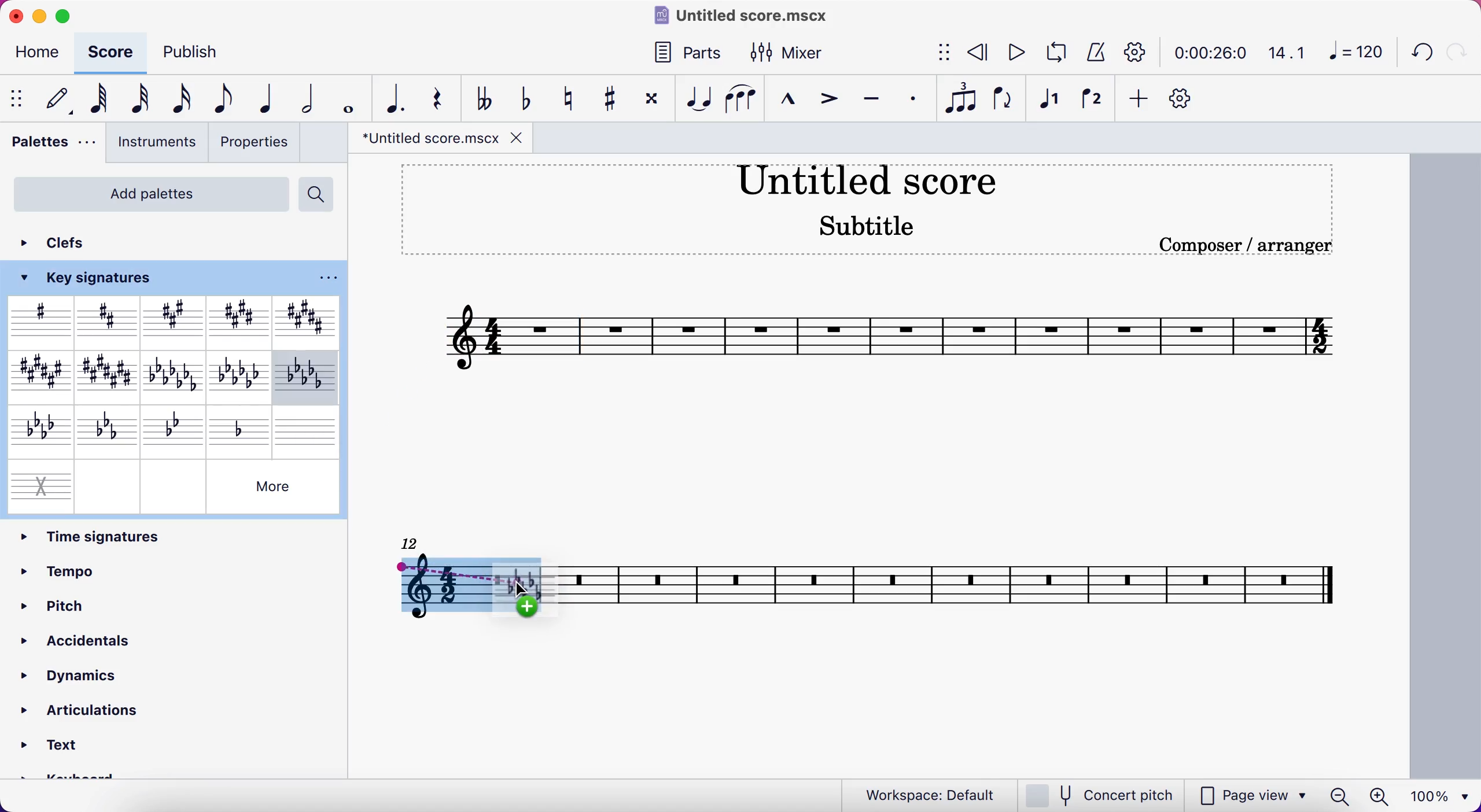 The image size is (1481, 812). I want to click on D major, so click(107, 320).